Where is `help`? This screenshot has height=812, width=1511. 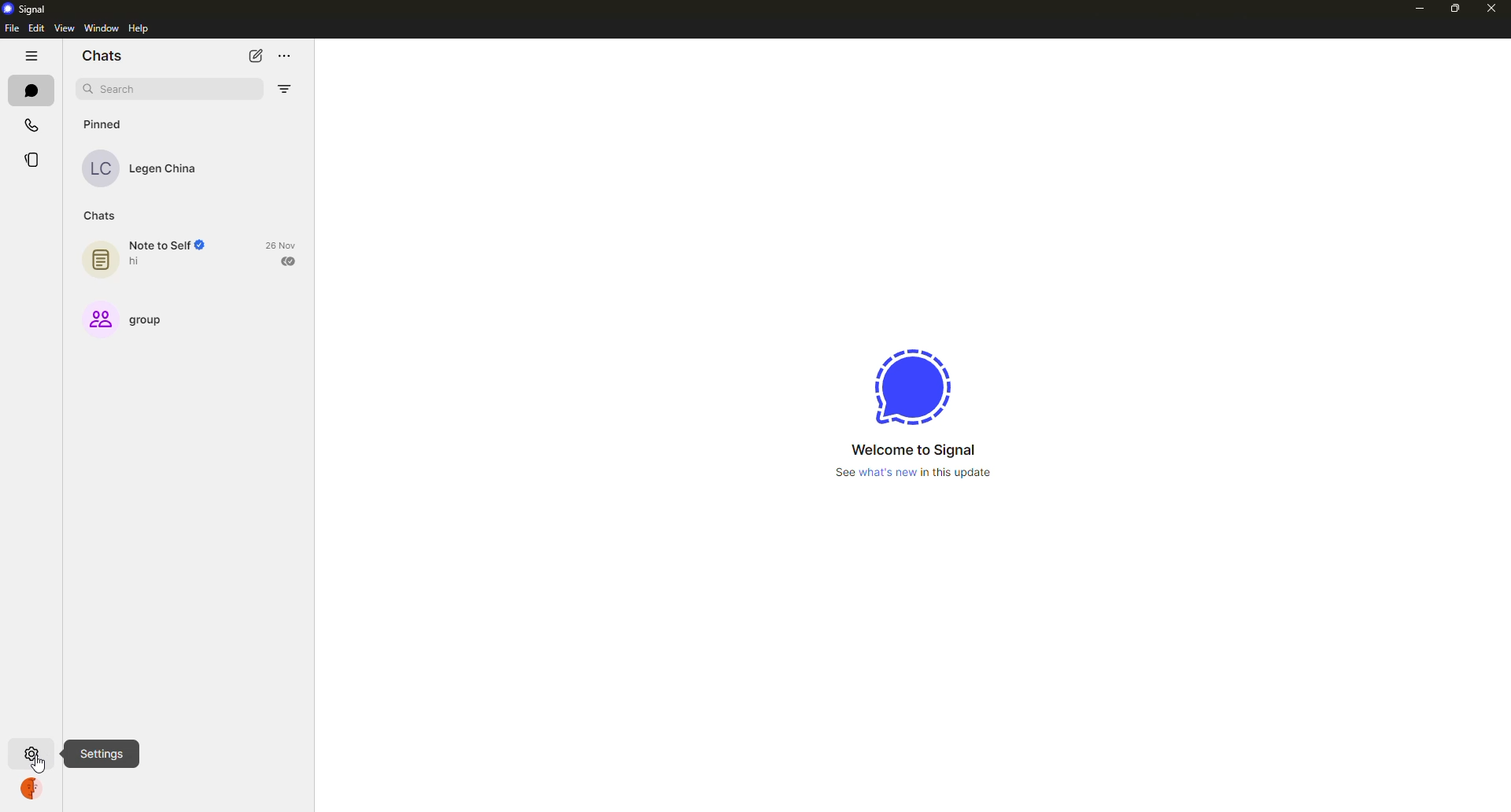 help is located at coordinates (140, 29).